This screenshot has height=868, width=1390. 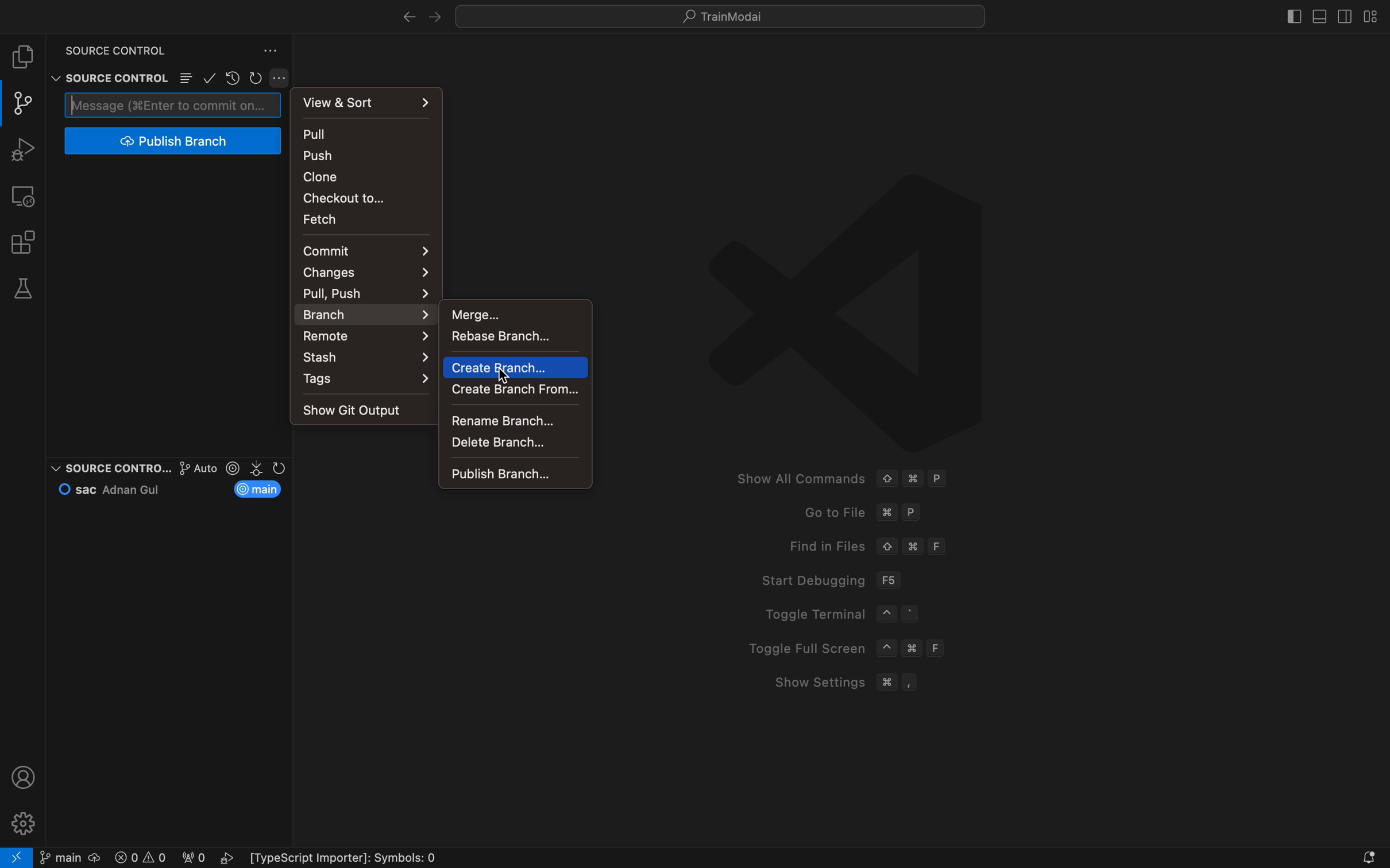 I want to click on pull from server, so click(x=369, y=134).